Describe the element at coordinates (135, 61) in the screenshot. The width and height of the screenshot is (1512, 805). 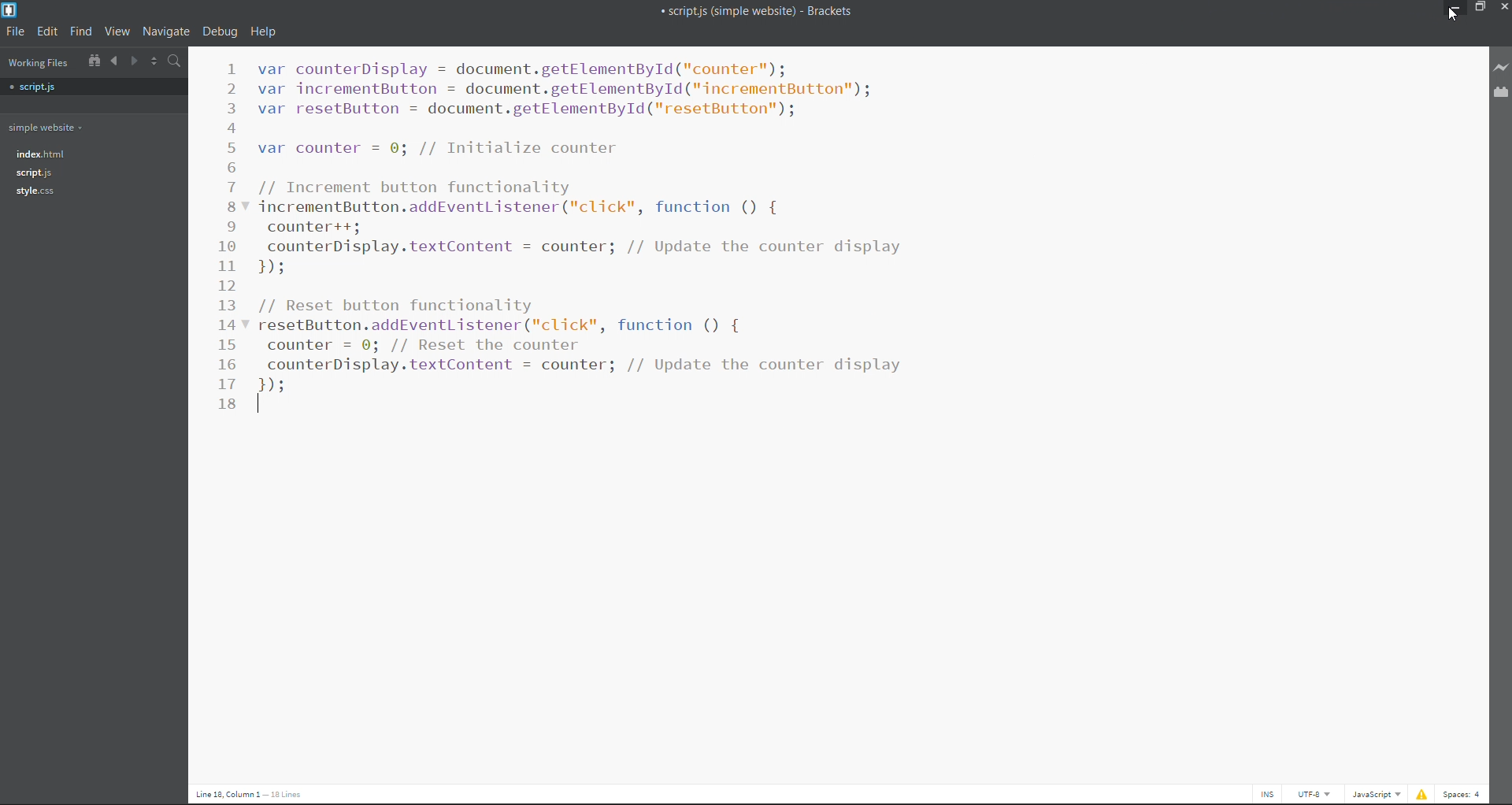
I see `navigate forward` at that location.